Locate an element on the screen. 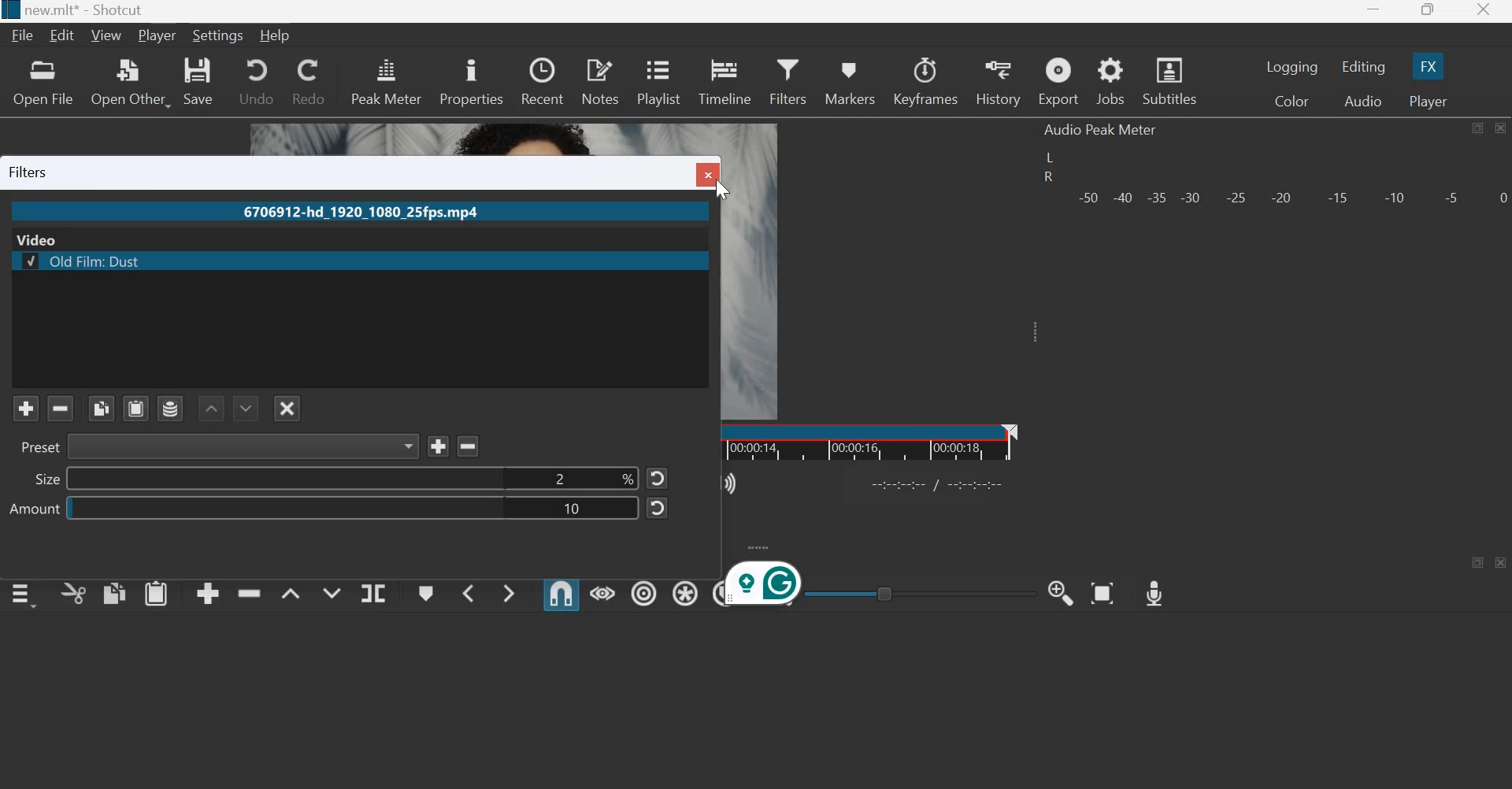  Deselect the filter is located at coordinates (287, 408).